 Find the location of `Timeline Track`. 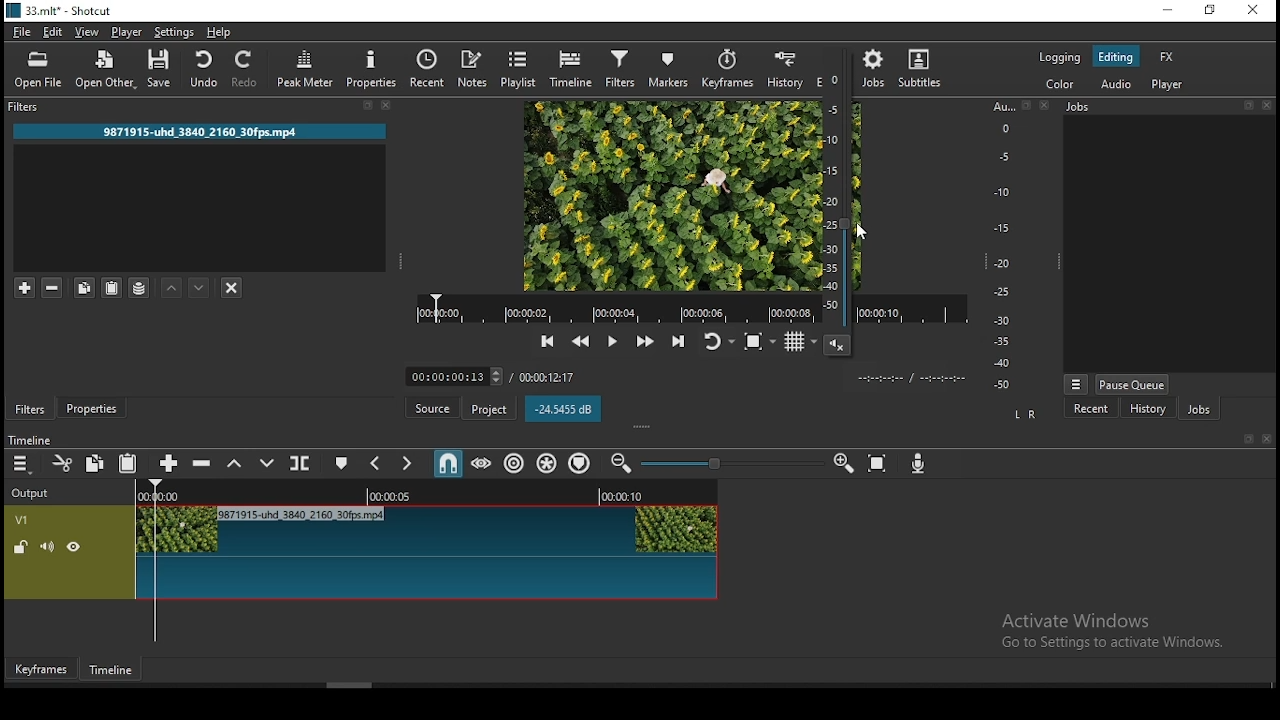

Timeline Track is located at coordinates (425, 495).